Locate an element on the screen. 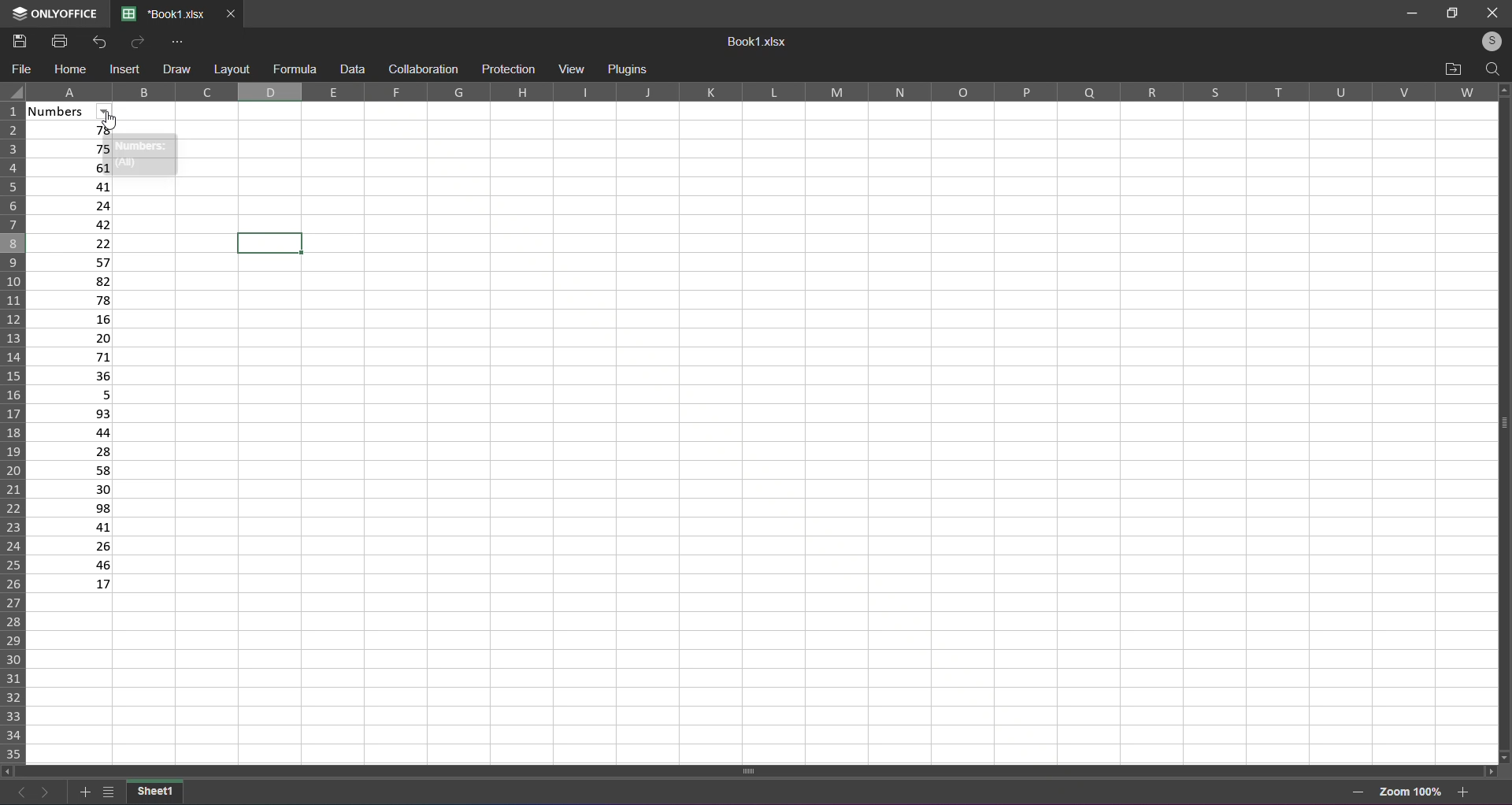 Image resolution: width=1512 pixels, height=805 pixels. select all is located at coordinates (13, 92).